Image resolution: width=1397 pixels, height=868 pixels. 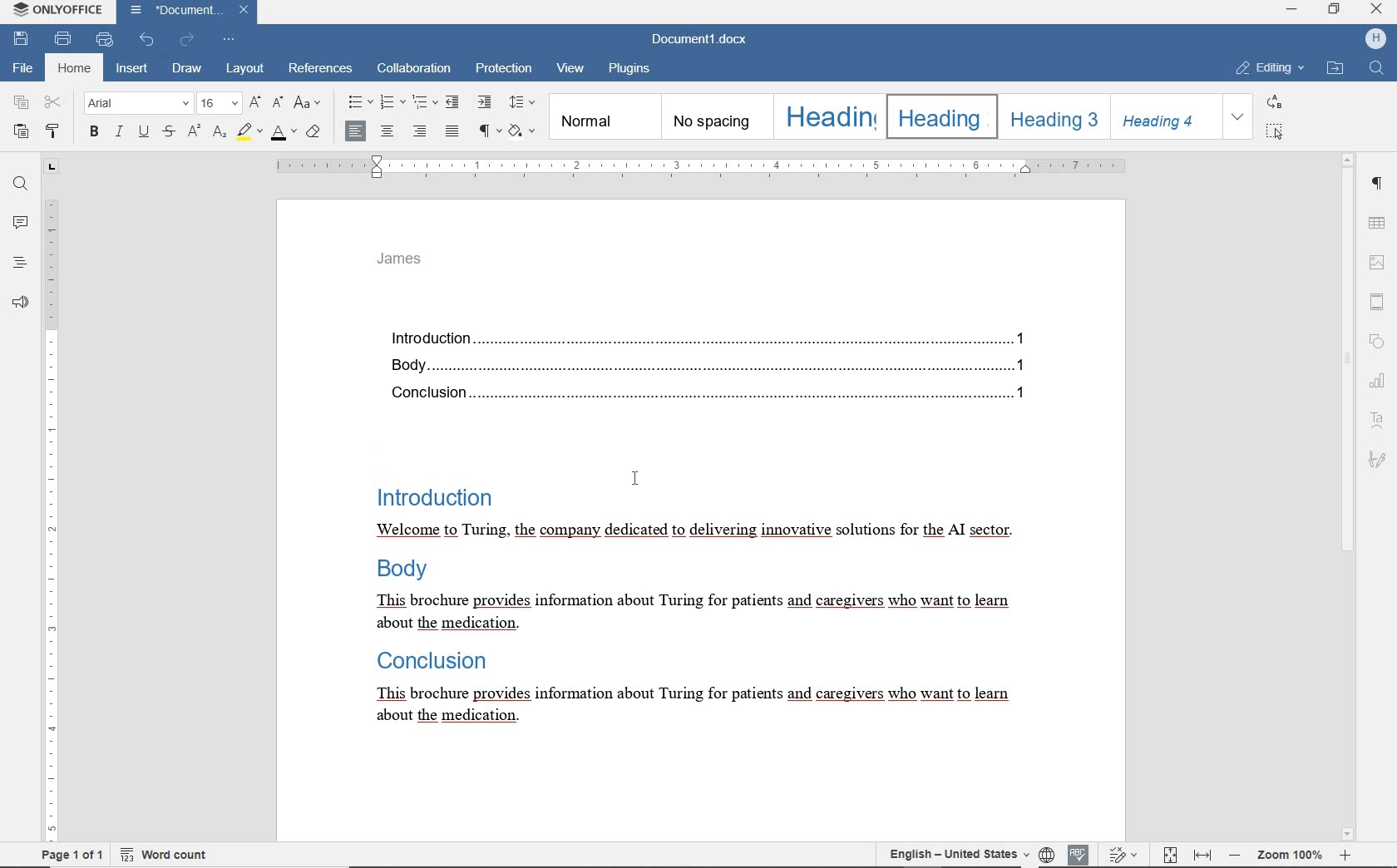 I want to click on copy style, so click(x=57, y=133).